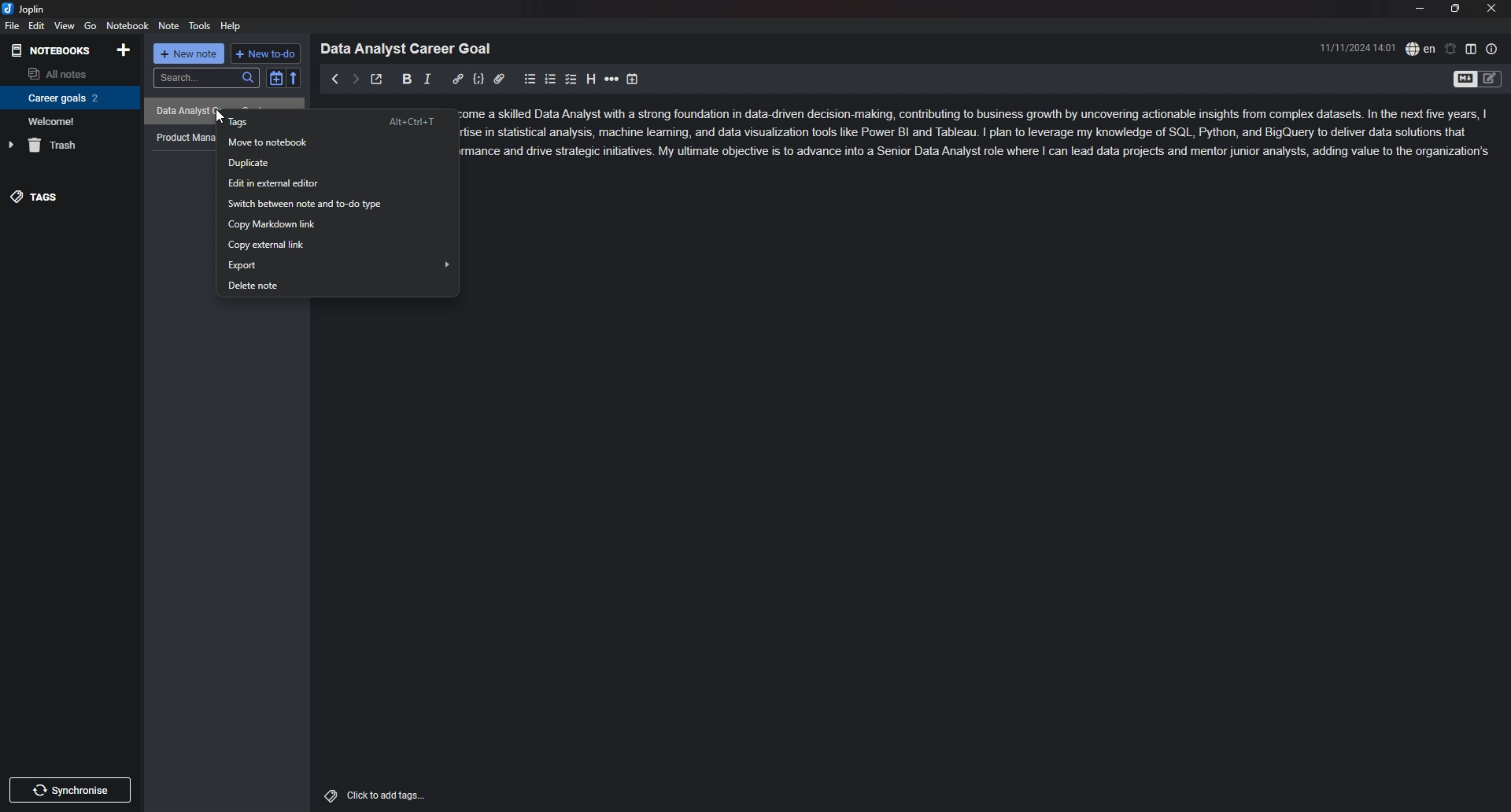 This screenshot has width=1511, height=812. What do you see at coordinates (68, 145) in the screenshot?
I see `trash` at bounding box center [68, 145].